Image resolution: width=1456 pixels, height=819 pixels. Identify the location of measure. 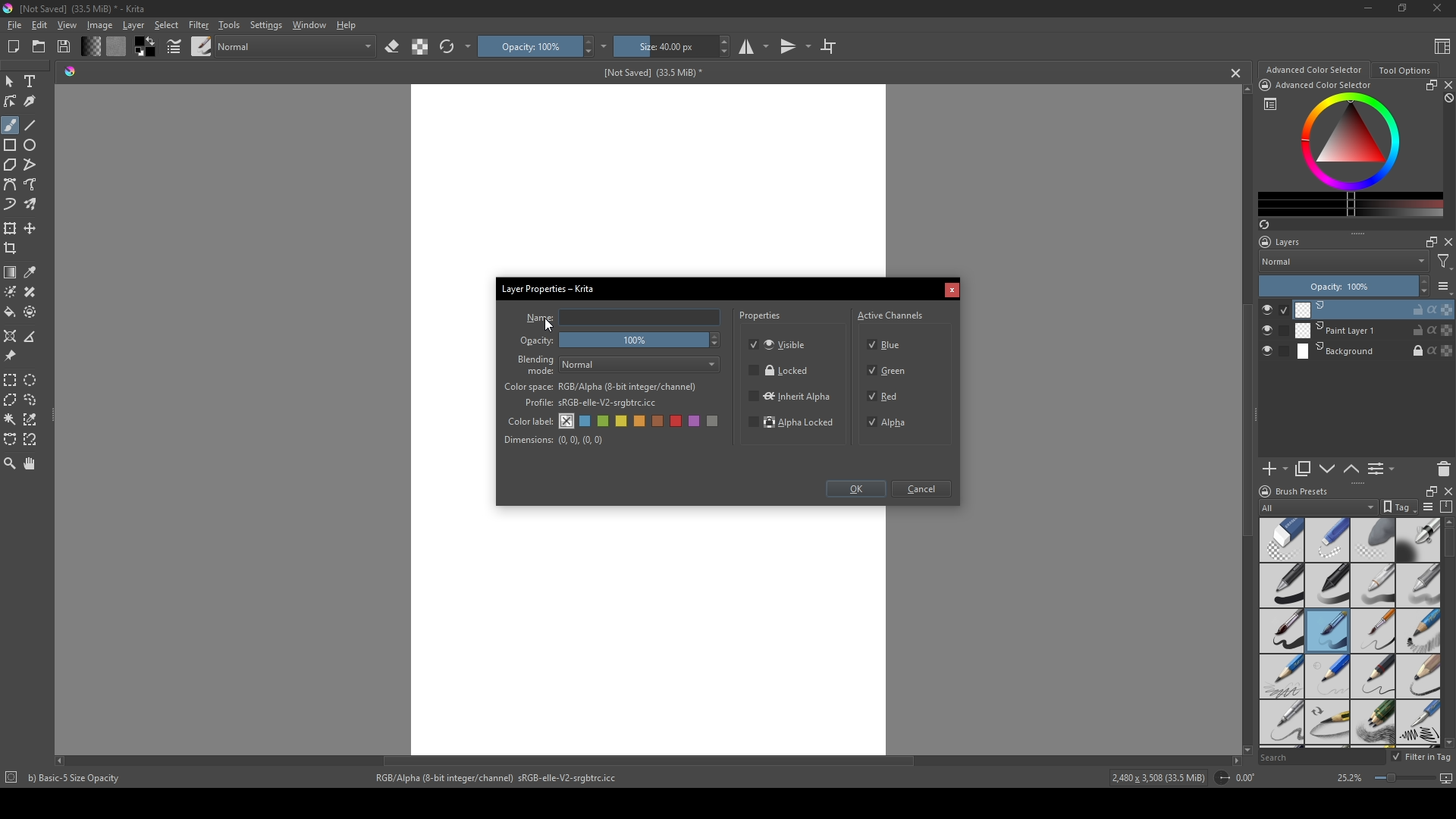
(33, 337).